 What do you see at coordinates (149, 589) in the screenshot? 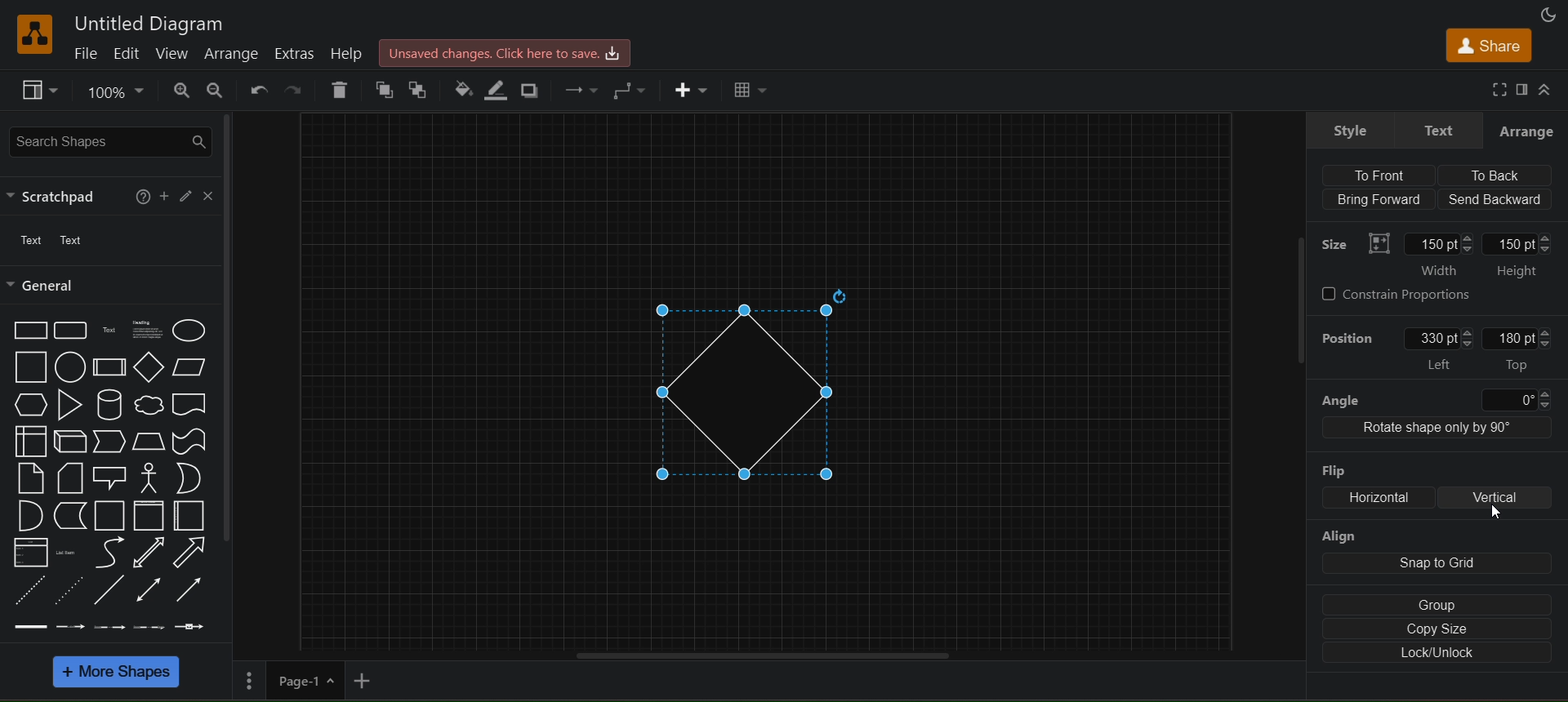
I see `bidirectional connector` at bounding box center [149, 589].